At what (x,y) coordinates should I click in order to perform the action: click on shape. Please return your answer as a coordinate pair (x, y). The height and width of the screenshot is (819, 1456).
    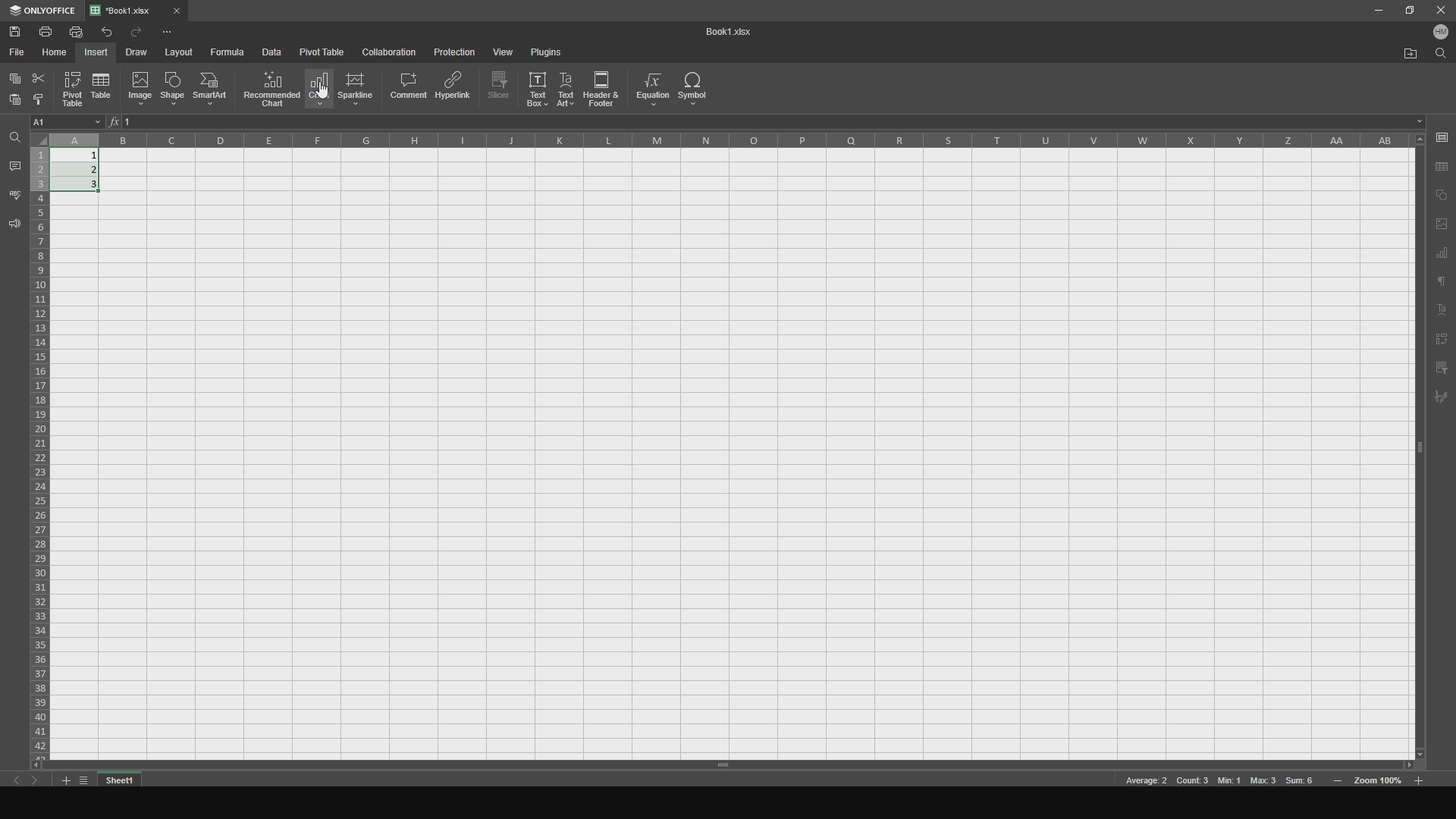
    Looking at the image, I should click on (172, 91).